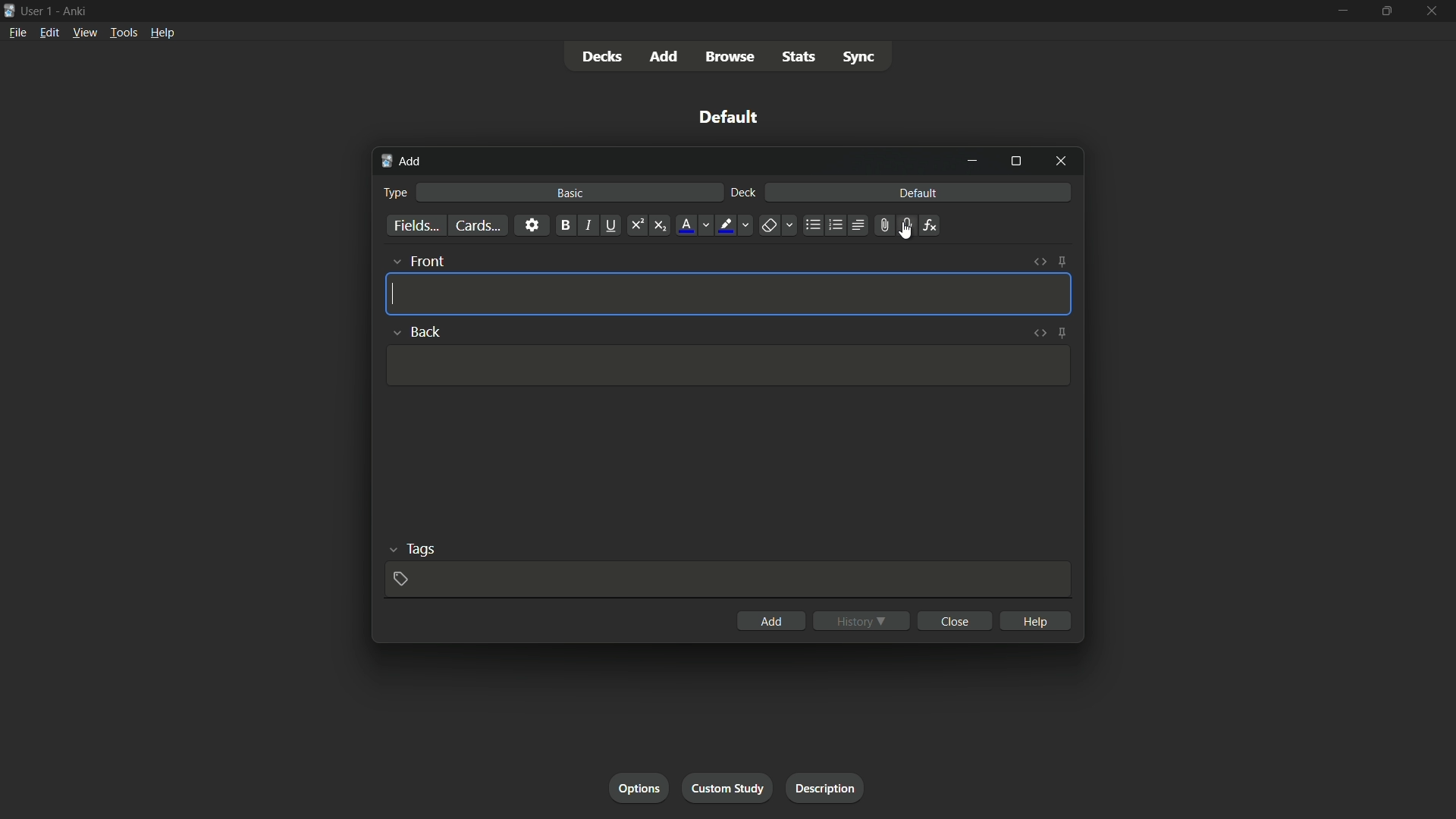  What do you see at coordinates (858, 59) in the screenshot?
I see `sync` at bounding box center [858, 59].